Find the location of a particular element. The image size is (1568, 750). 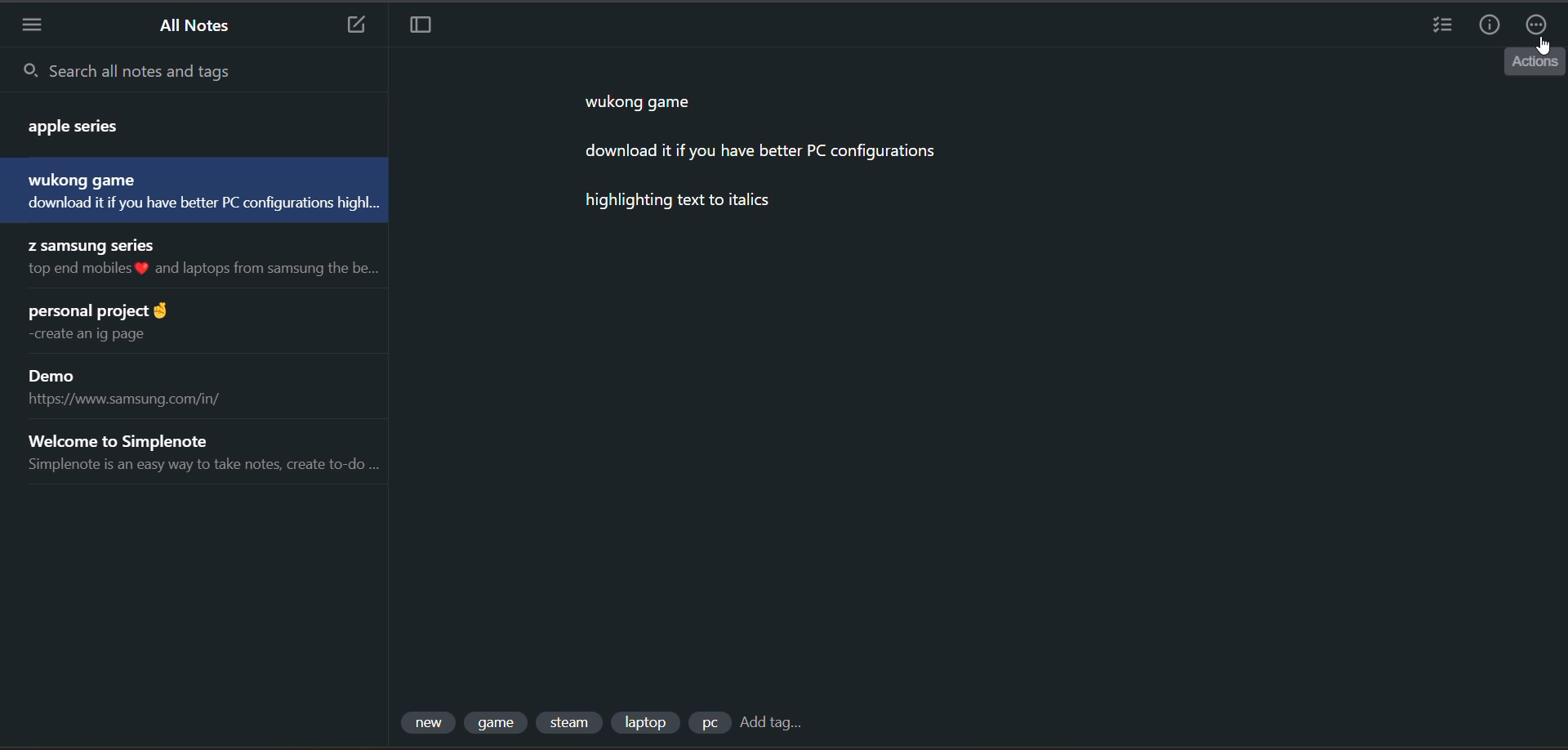

search all notes and tags is located at coordinates (198, 69).